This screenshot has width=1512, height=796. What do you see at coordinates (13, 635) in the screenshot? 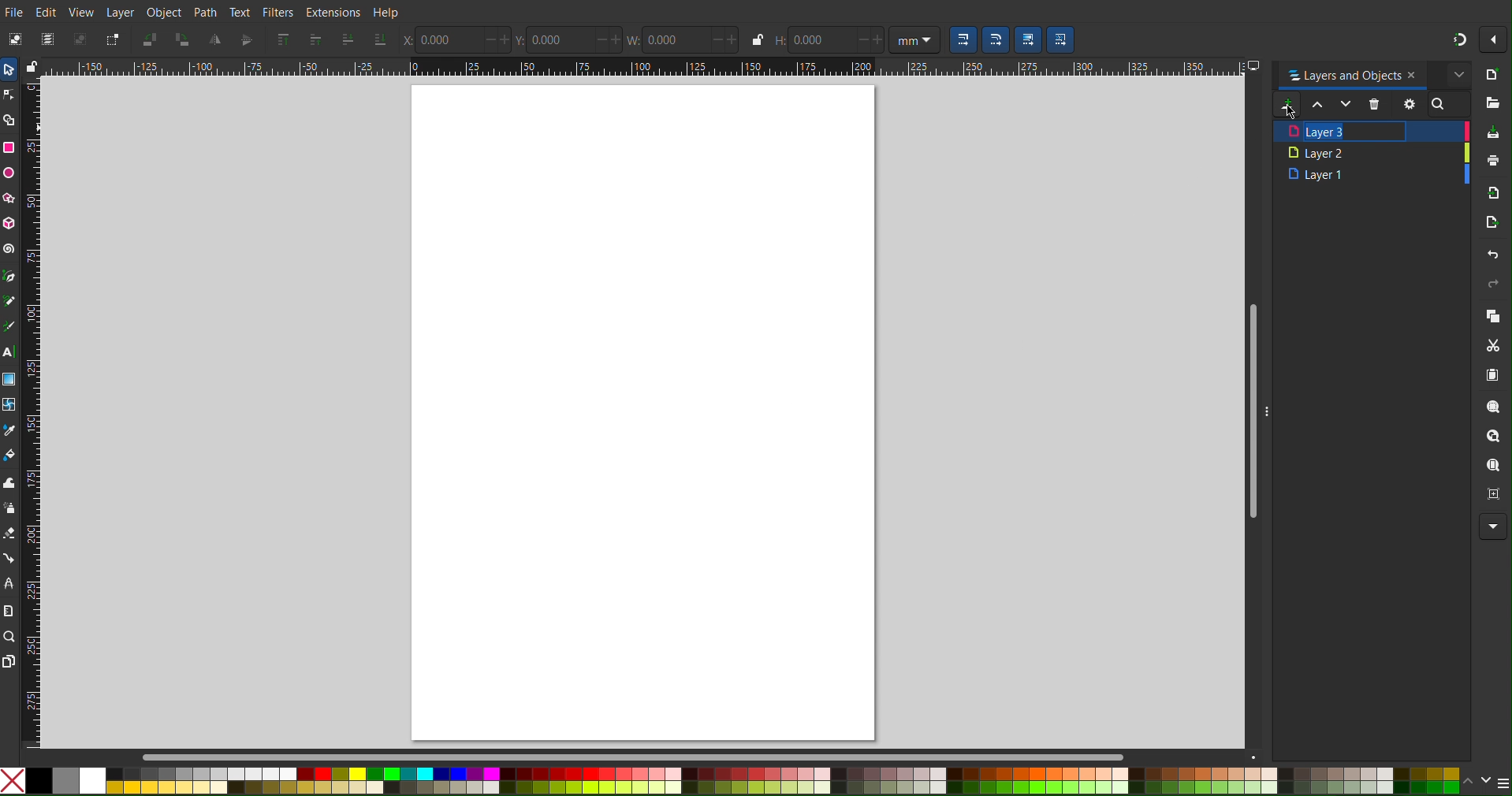
I see `Zoom Tool` at bounding box center [13, 635].